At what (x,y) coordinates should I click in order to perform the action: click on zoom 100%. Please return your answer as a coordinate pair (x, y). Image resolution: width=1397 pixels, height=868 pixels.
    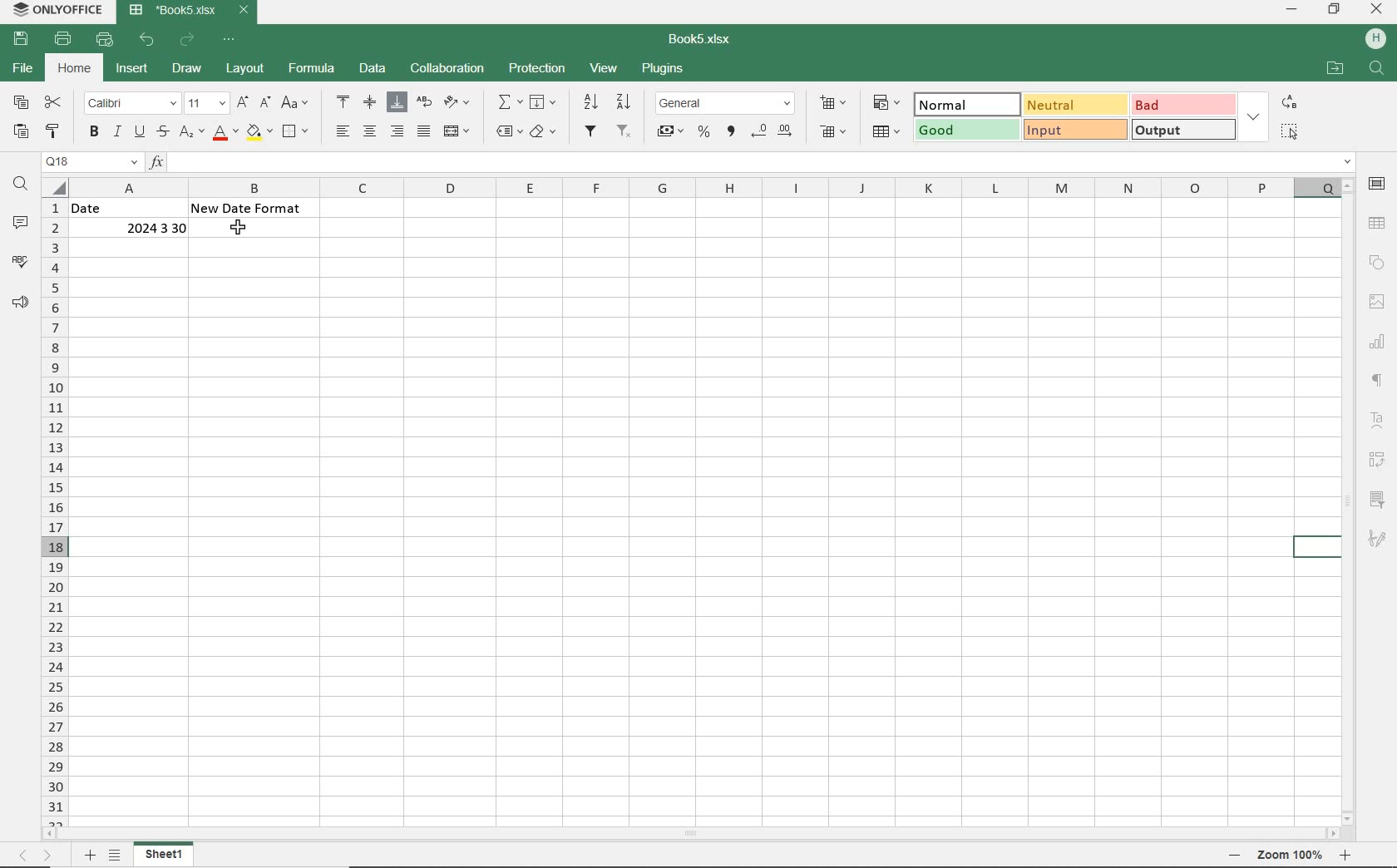
    Looking at the image, I should click on (1290, 855).